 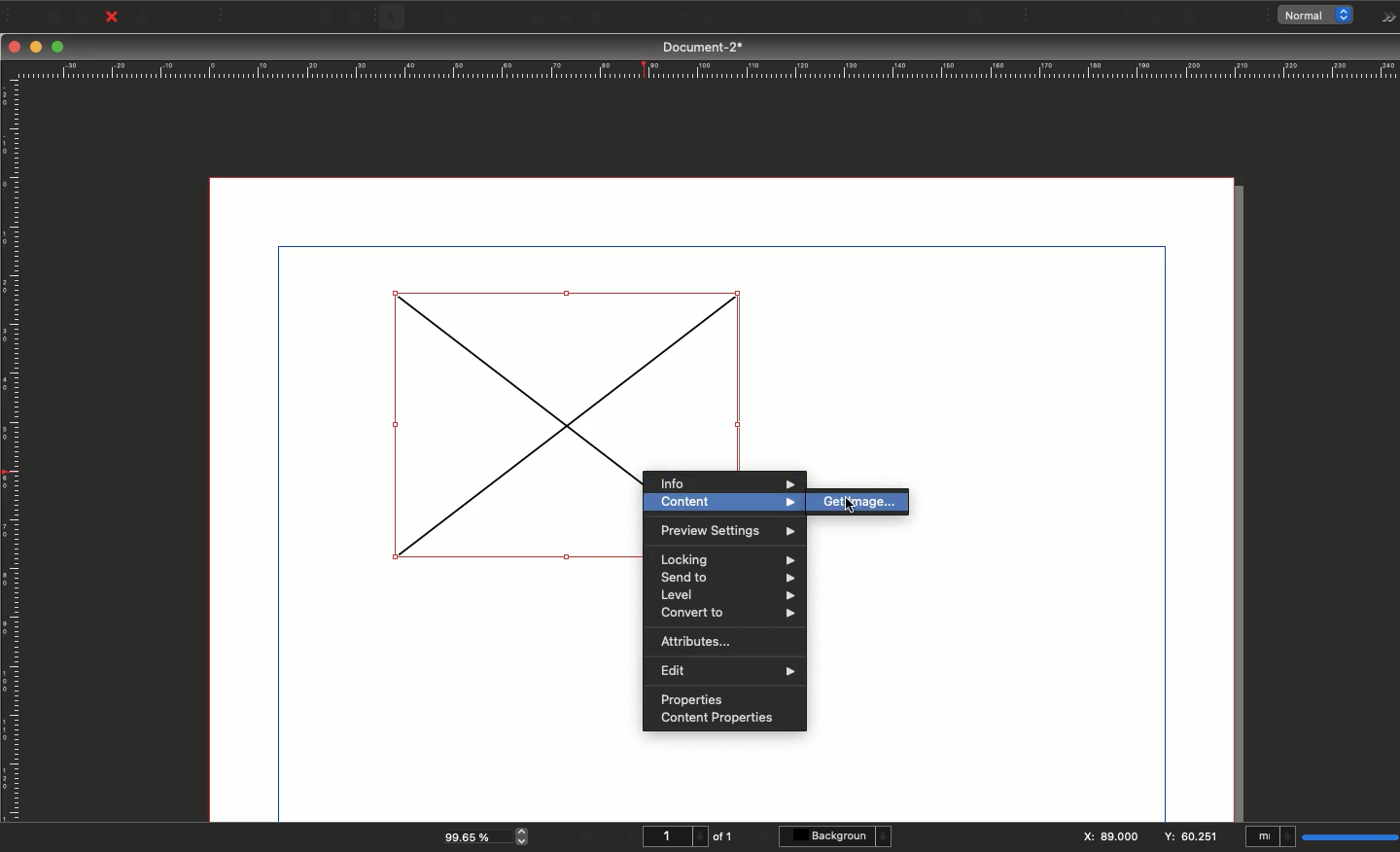 What do you see at coordinates (1189, 834) in the screenshot?
I see `y: 60.251` at bounding box center [1189, 834].